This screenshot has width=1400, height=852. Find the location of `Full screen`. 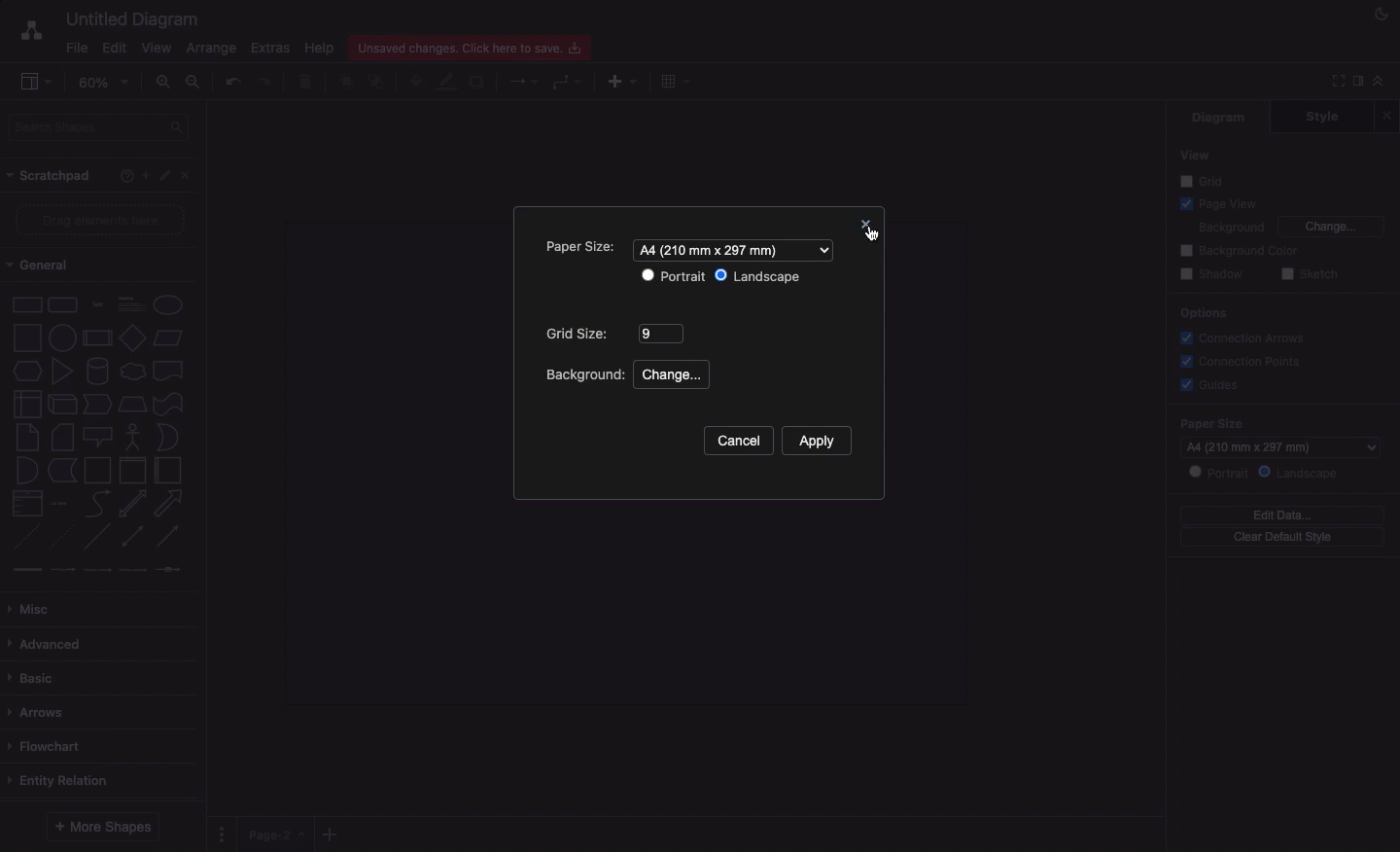

Full screen is located at coordinates (1334, 82).